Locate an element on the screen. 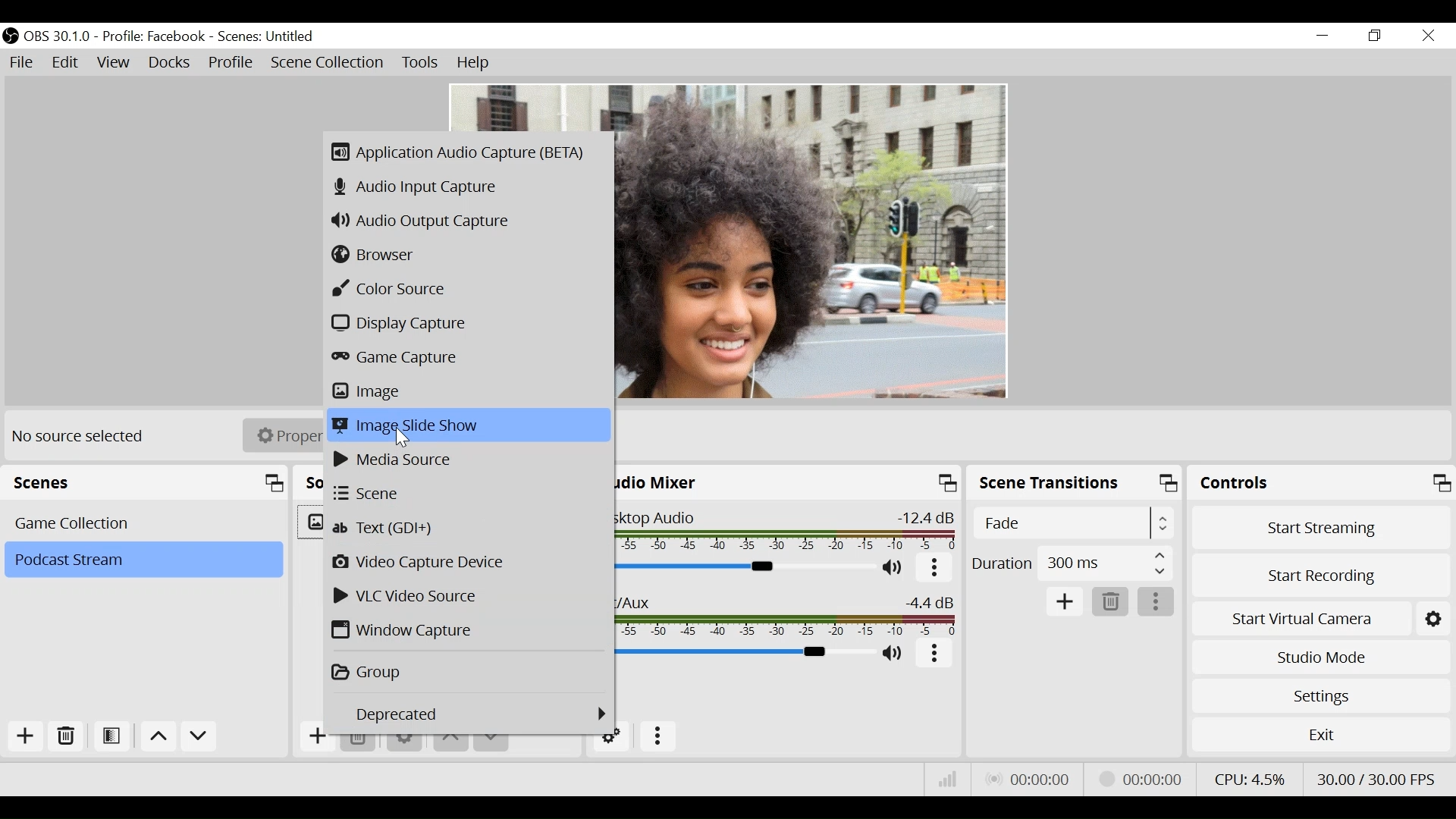 The image size is (1456, 819). Frame Per Second is located at coordinates (1376, 776).